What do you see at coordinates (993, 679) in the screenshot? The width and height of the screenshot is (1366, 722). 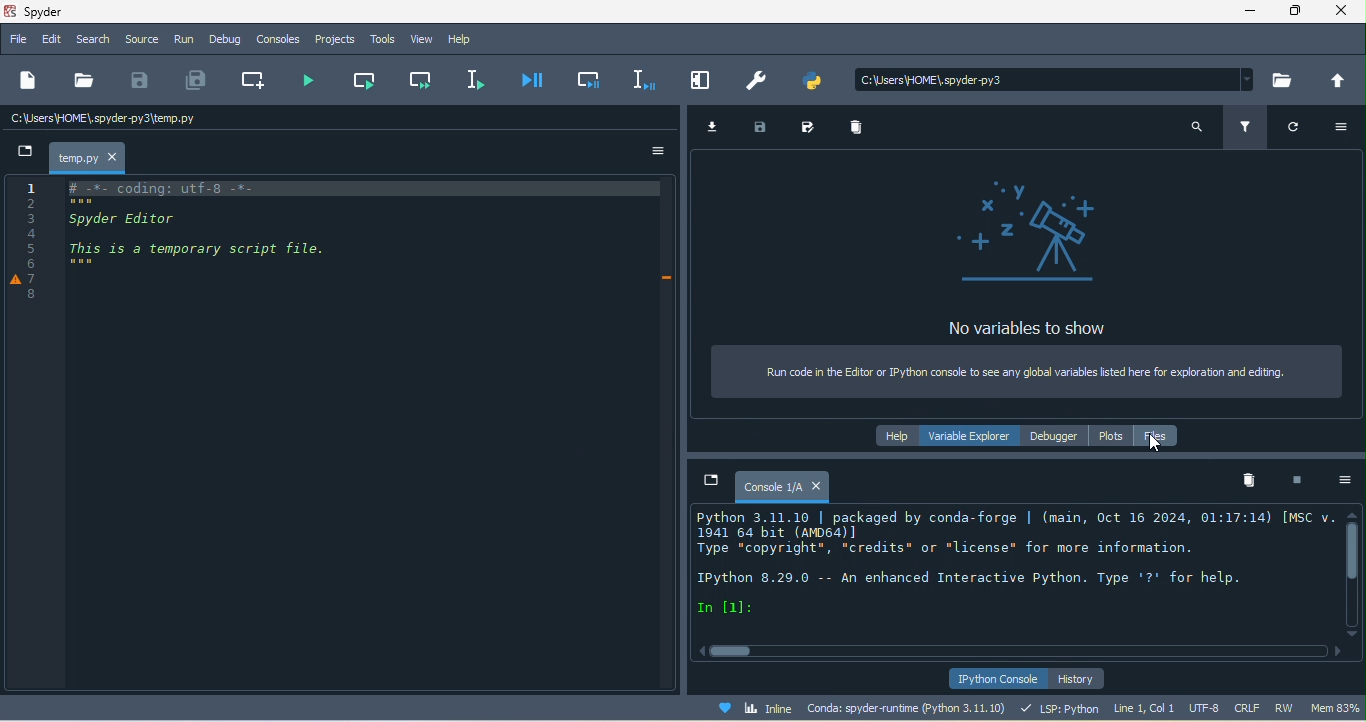 I see `ipython  console` at bounding box center [993, 679].